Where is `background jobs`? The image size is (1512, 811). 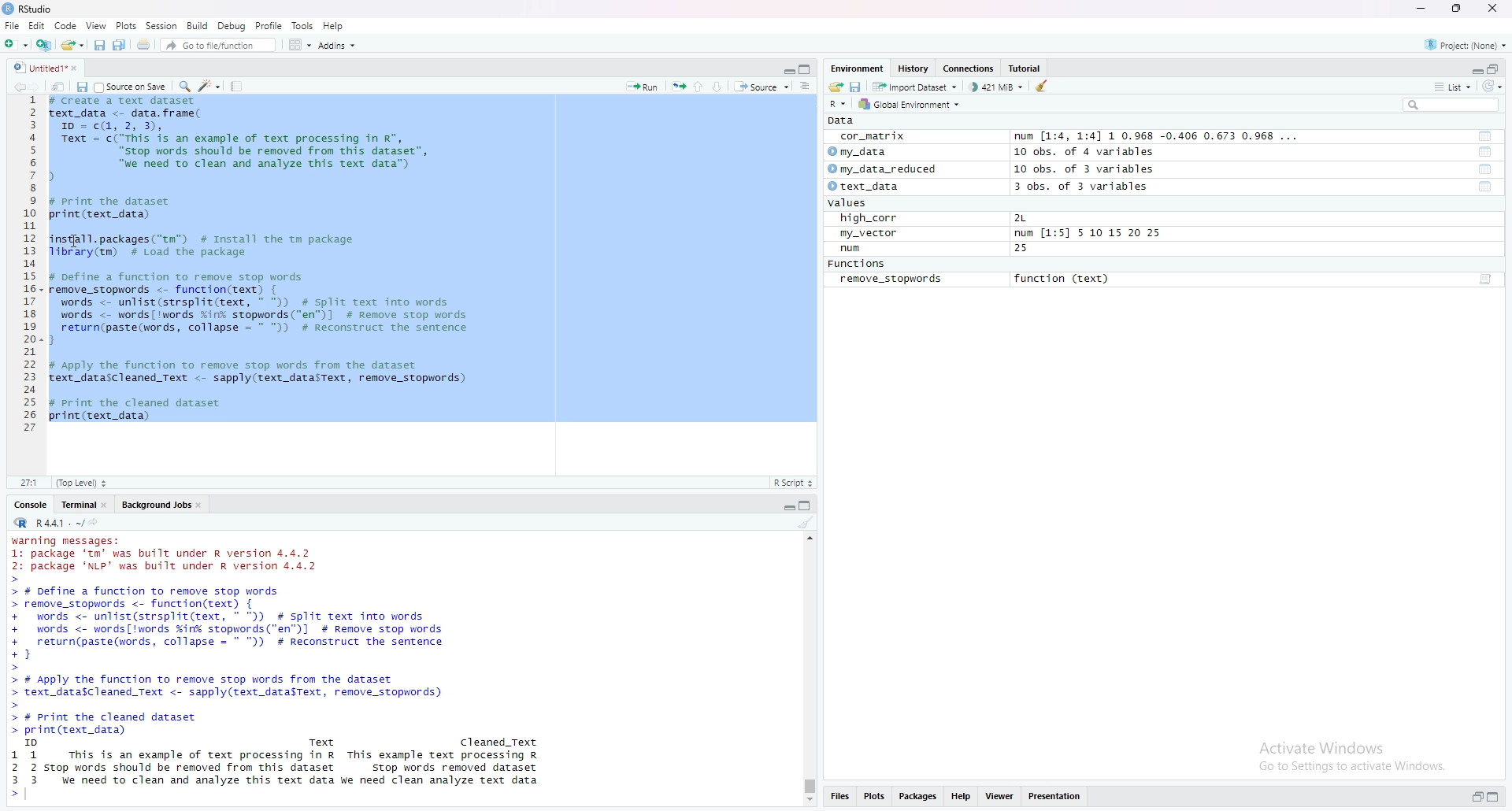 background jobs is located at coordinates (162, 506).